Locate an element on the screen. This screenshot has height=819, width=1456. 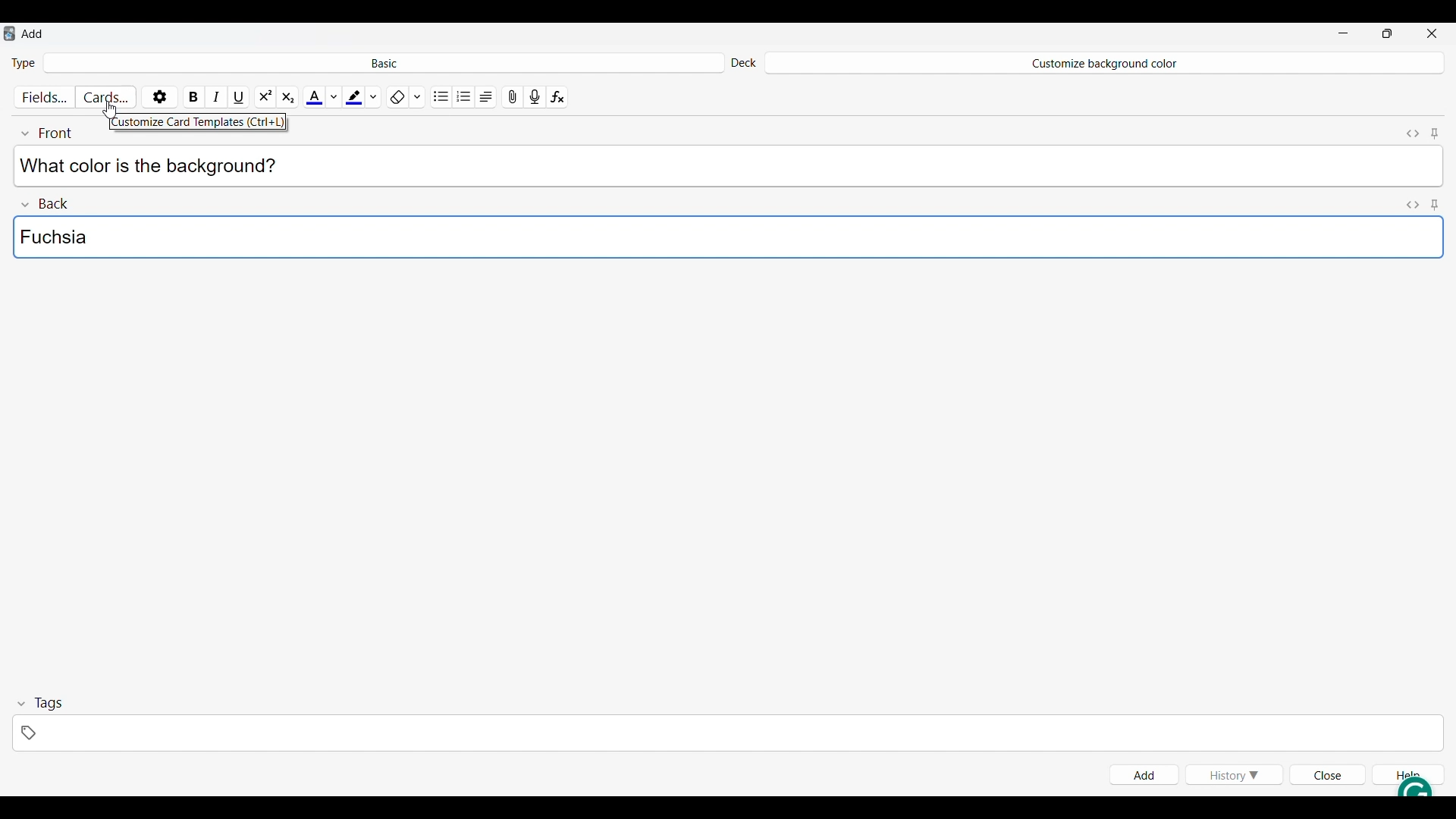
Cursor clicking on Cards is located at coordinates (108, 111).